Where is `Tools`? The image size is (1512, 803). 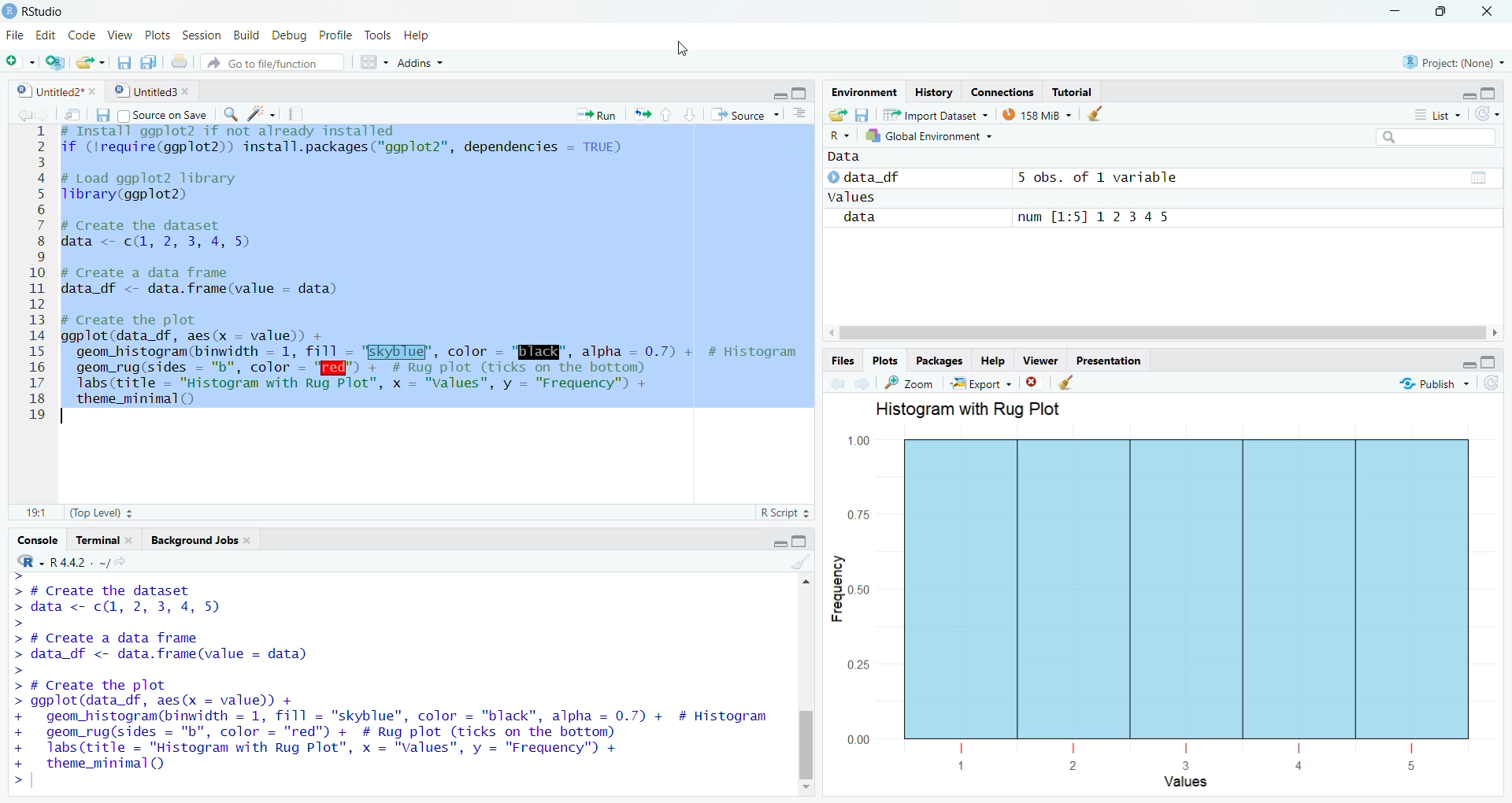
Tools is located at coordinates (375, 33).